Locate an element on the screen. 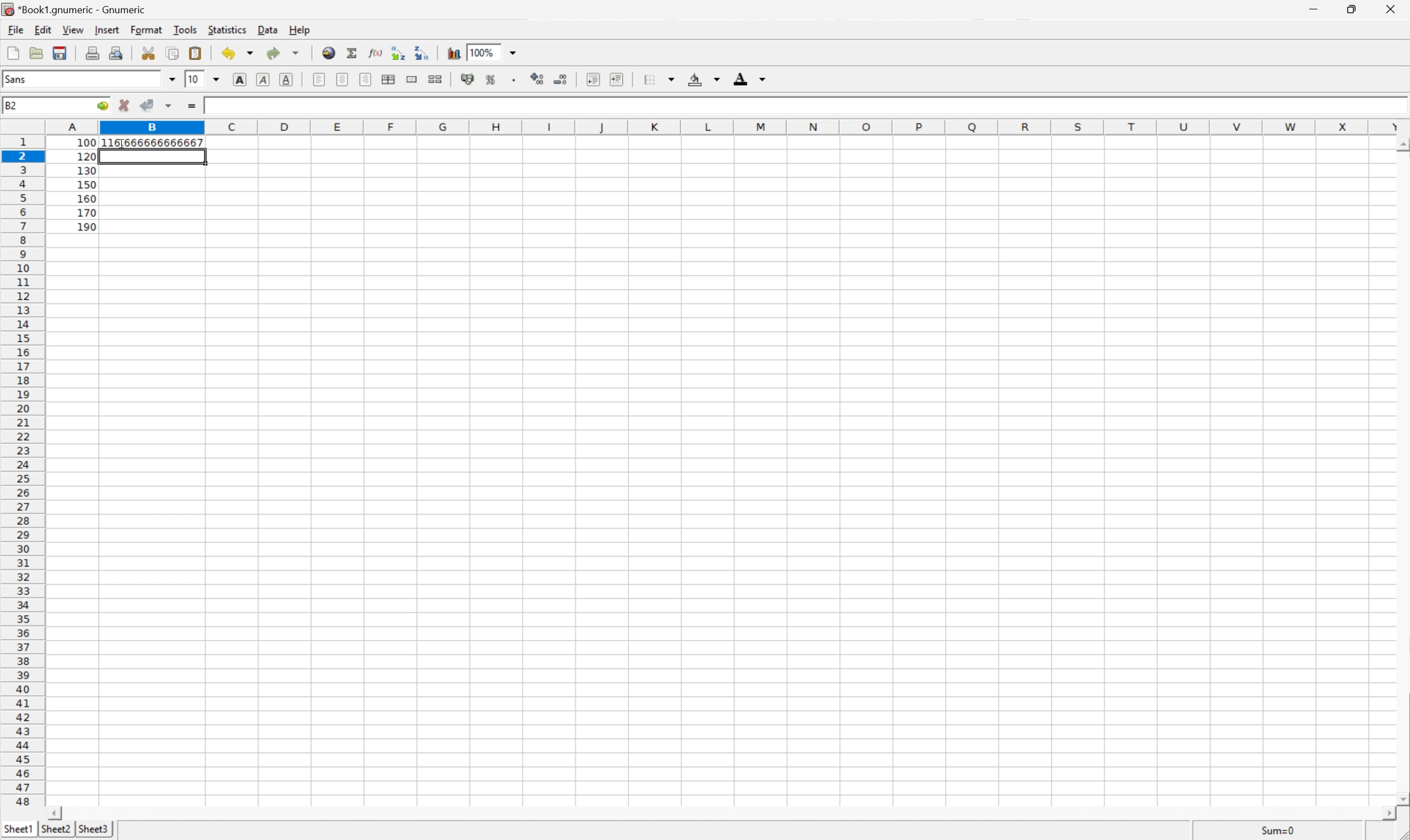  Copy the selection is located at coordinates (173, 54).